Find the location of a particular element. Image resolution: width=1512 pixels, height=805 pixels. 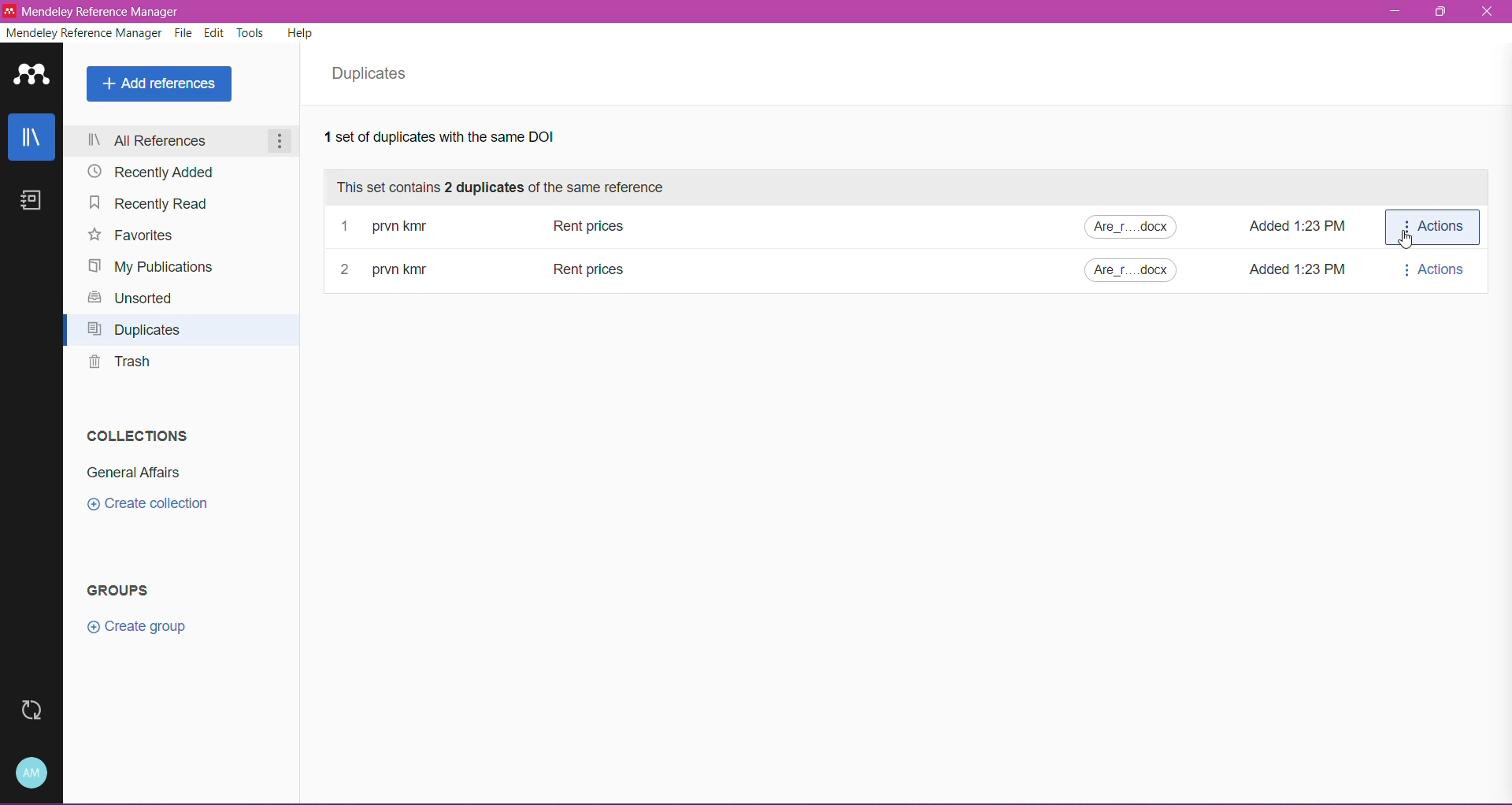

Added time is located at coordinates (1295, 227).